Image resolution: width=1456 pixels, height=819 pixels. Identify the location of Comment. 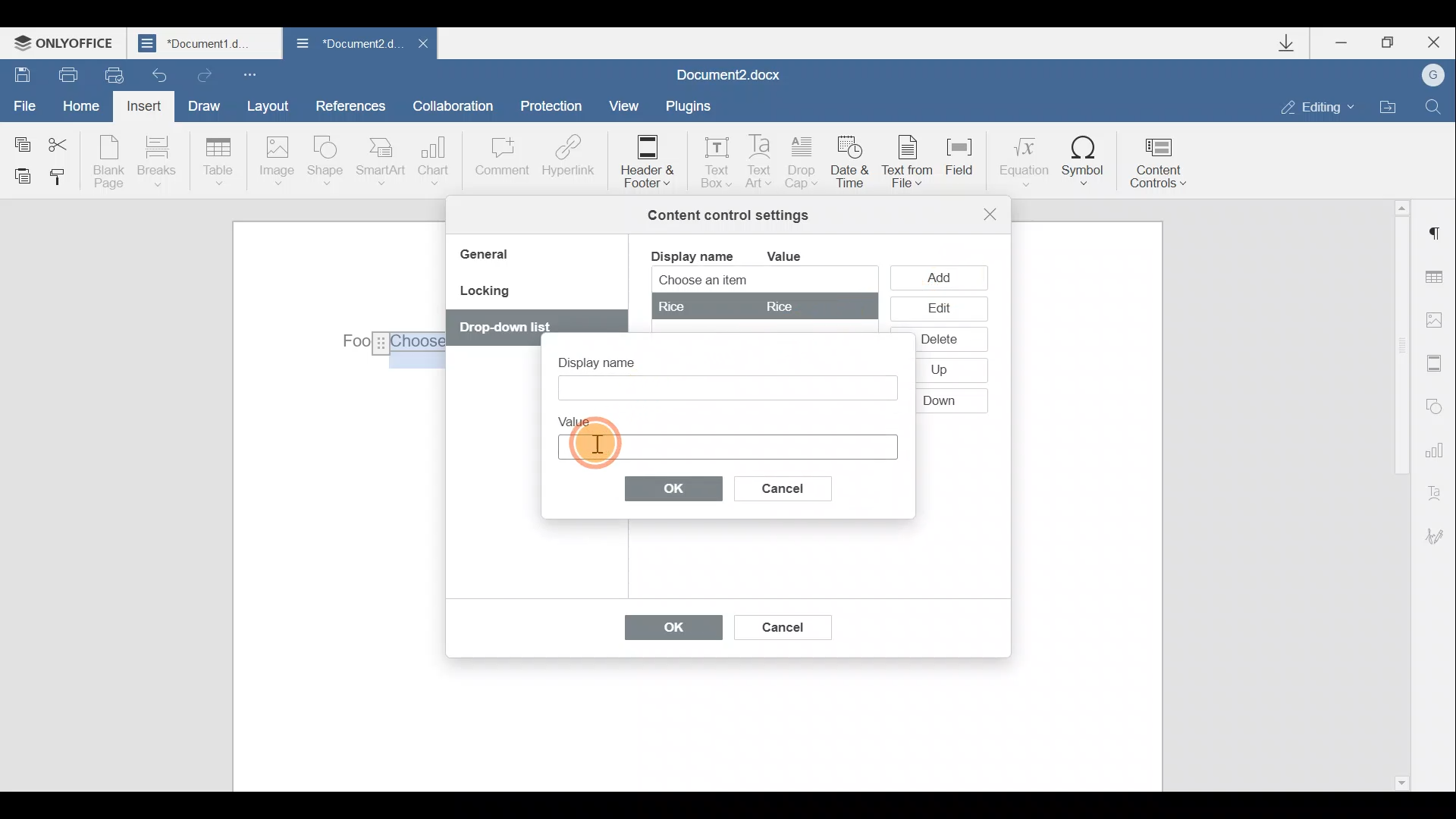
(501, 164).